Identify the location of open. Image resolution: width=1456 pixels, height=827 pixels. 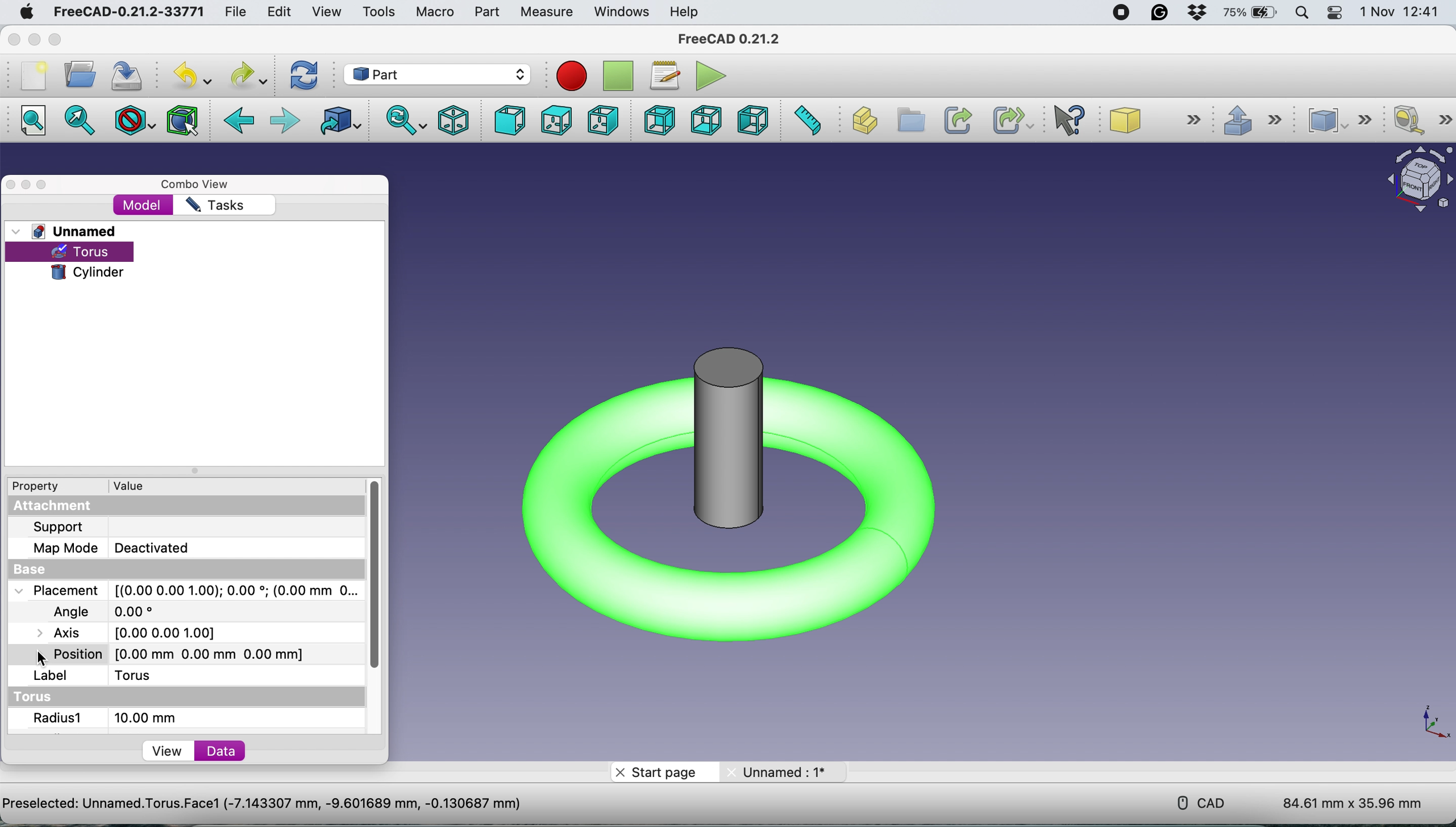
(77, 75).